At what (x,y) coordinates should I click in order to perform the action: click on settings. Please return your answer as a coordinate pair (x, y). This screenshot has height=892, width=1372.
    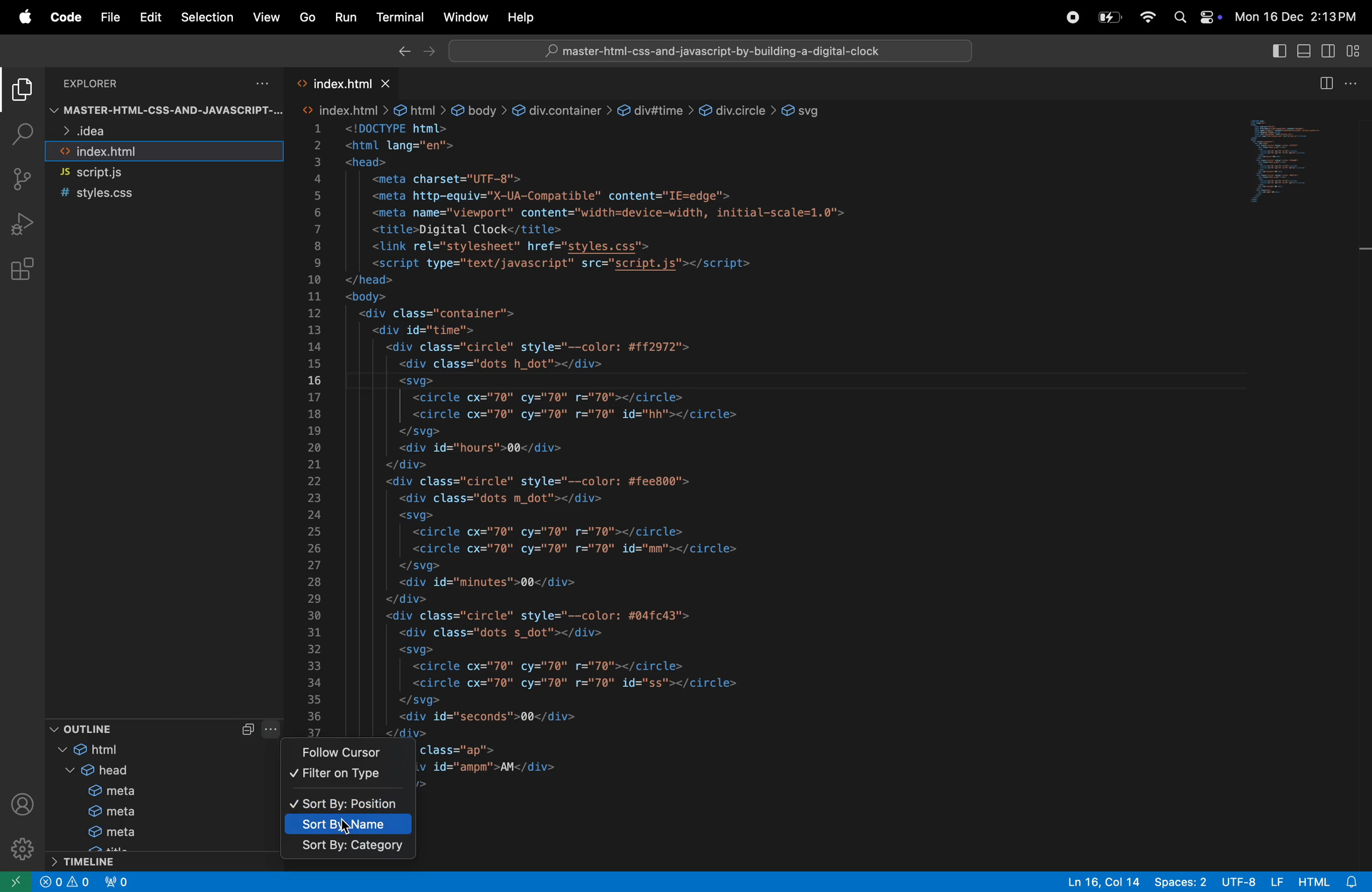
    Looking at the image, I should click on (21, 848).